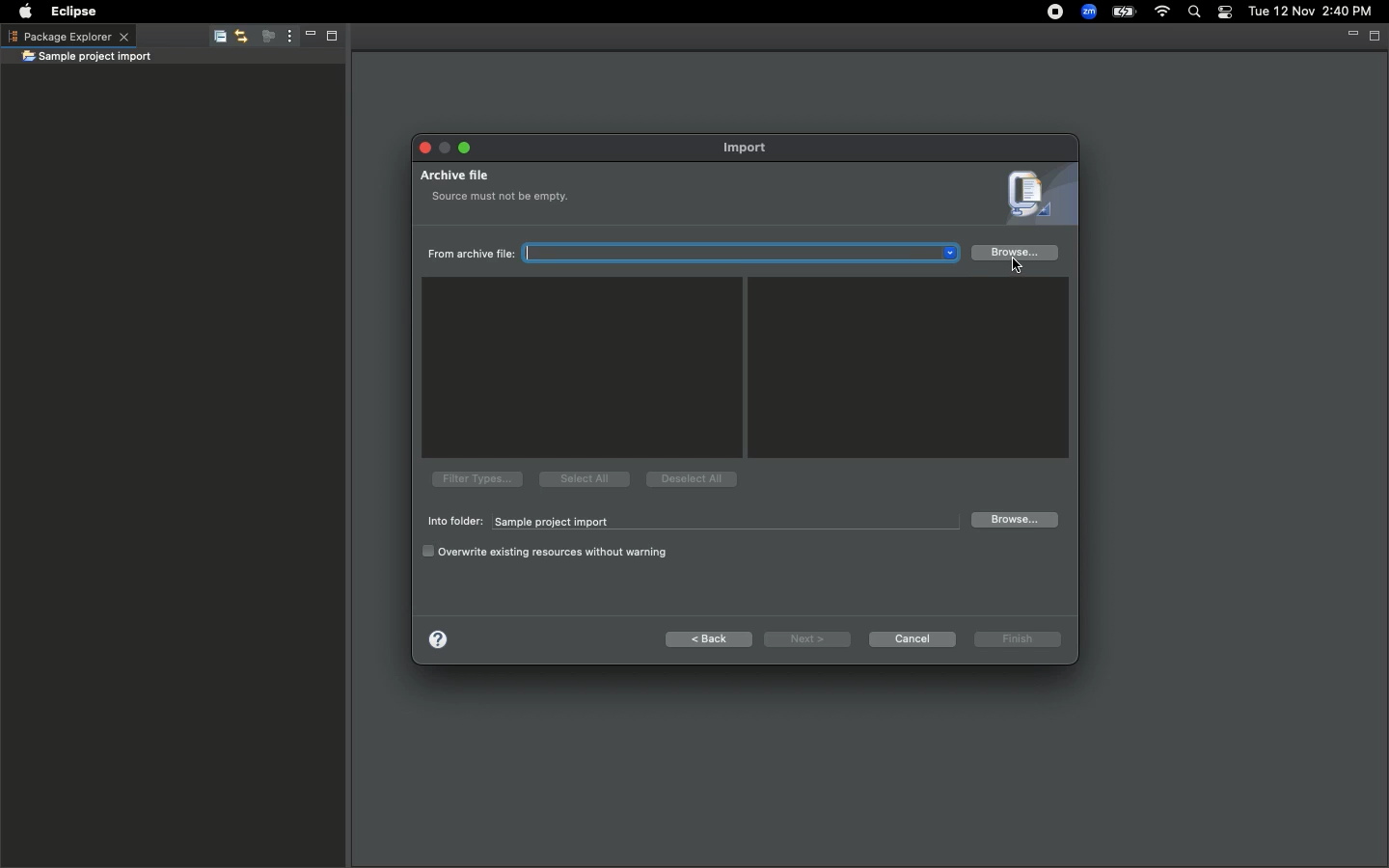  What do you see at coordinates (1192, 13) in the screenshot?
I see `Search` at bounding box center [1192, 13].